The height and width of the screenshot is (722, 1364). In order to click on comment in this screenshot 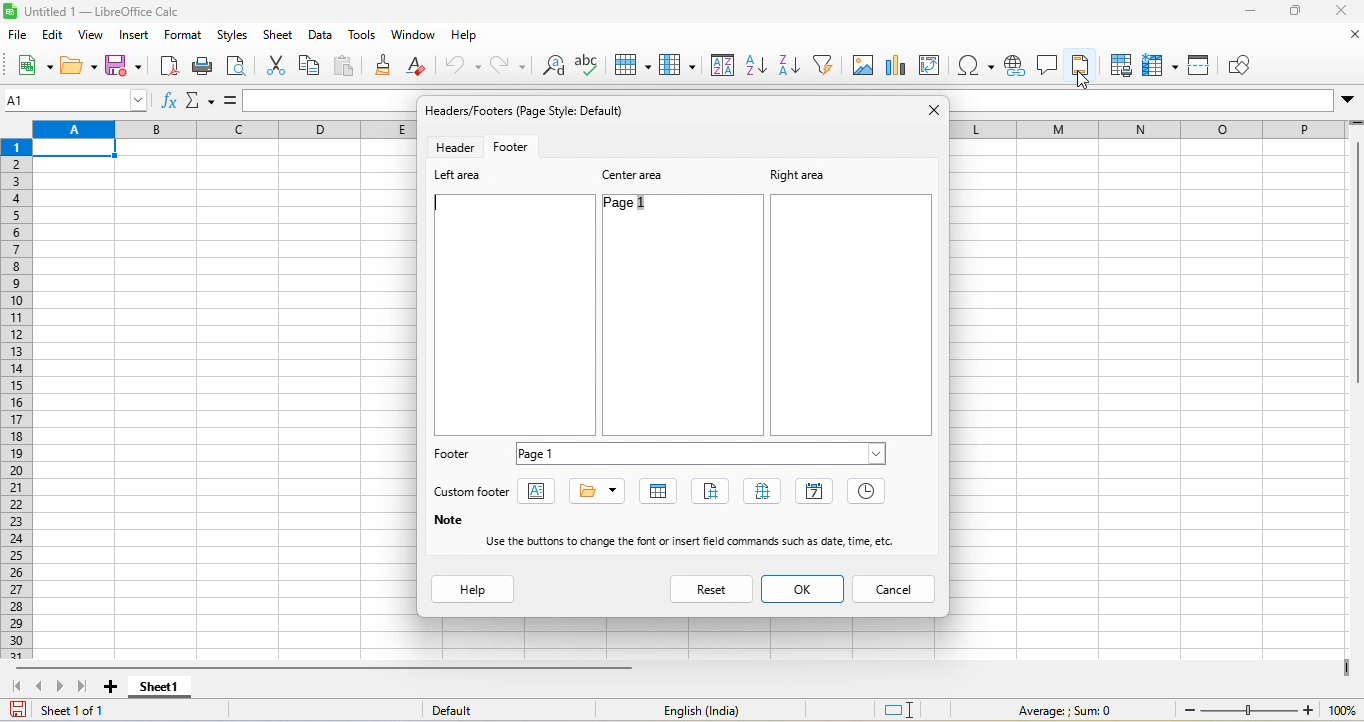, I will do `click(1046, 64)`.